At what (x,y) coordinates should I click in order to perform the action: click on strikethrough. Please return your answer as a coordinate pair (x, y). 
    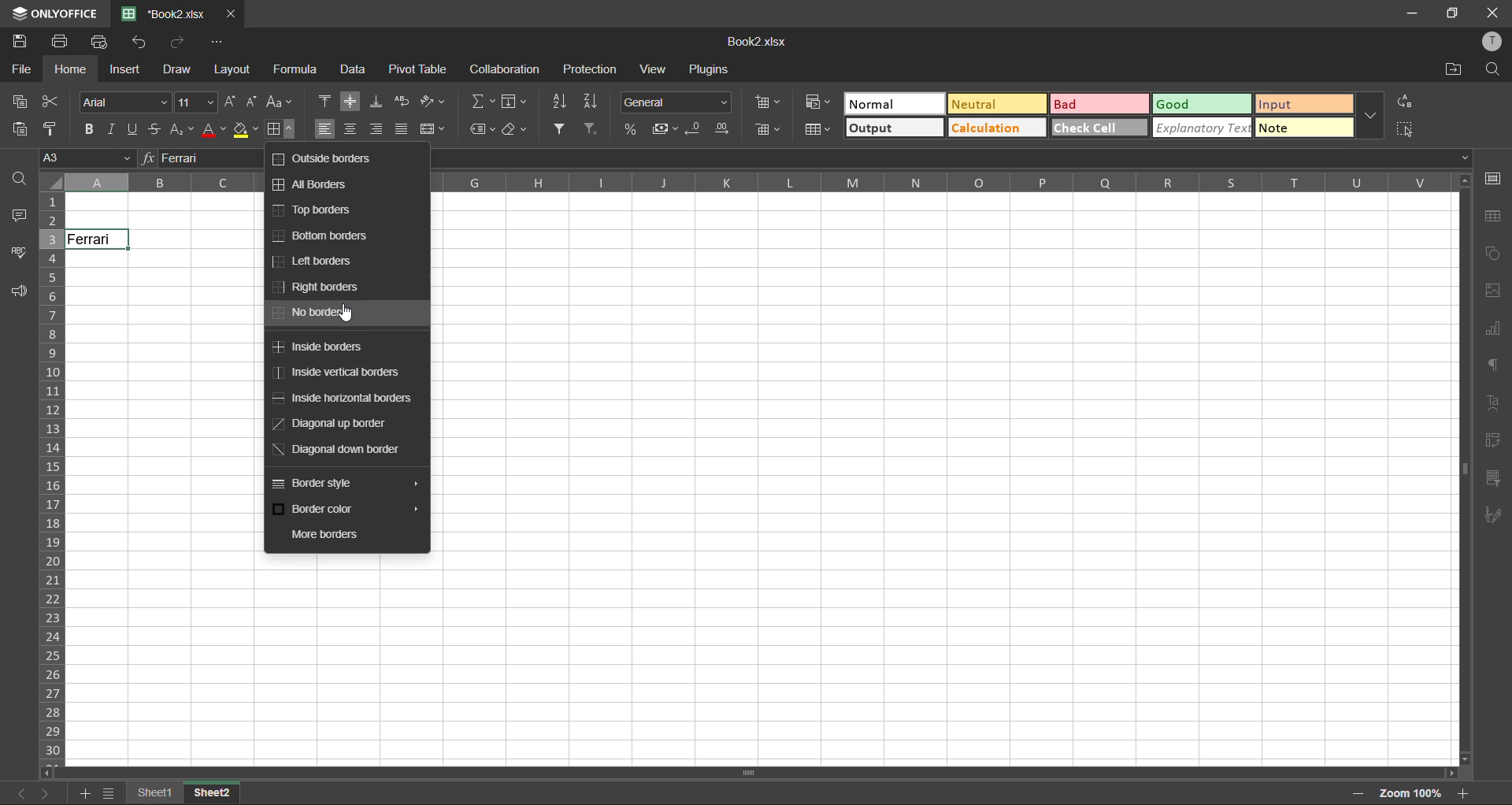
    Looking at the image, I should click on (156, 129).